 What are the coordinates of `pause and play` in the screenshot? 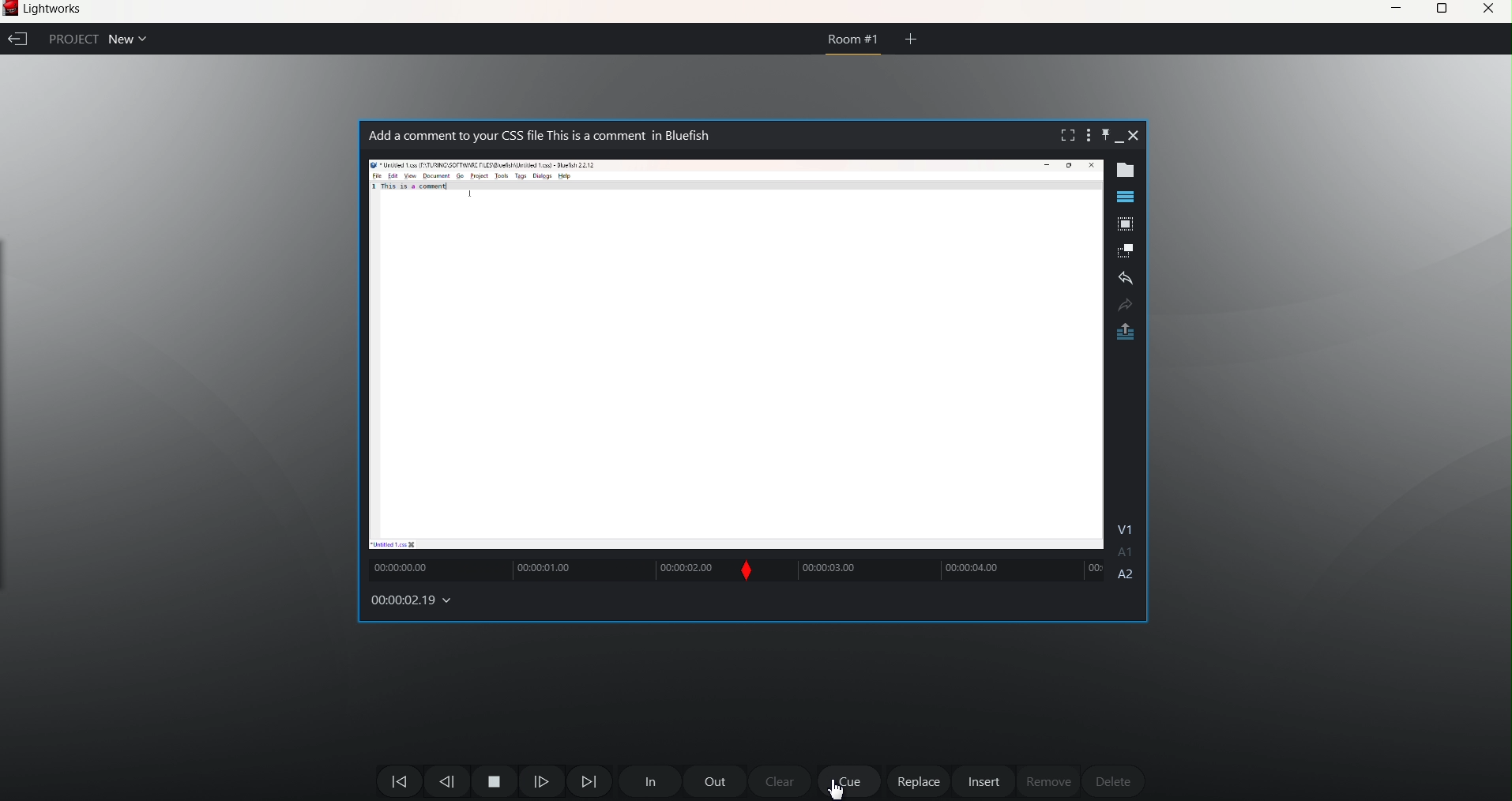 It's located at (494, 781).